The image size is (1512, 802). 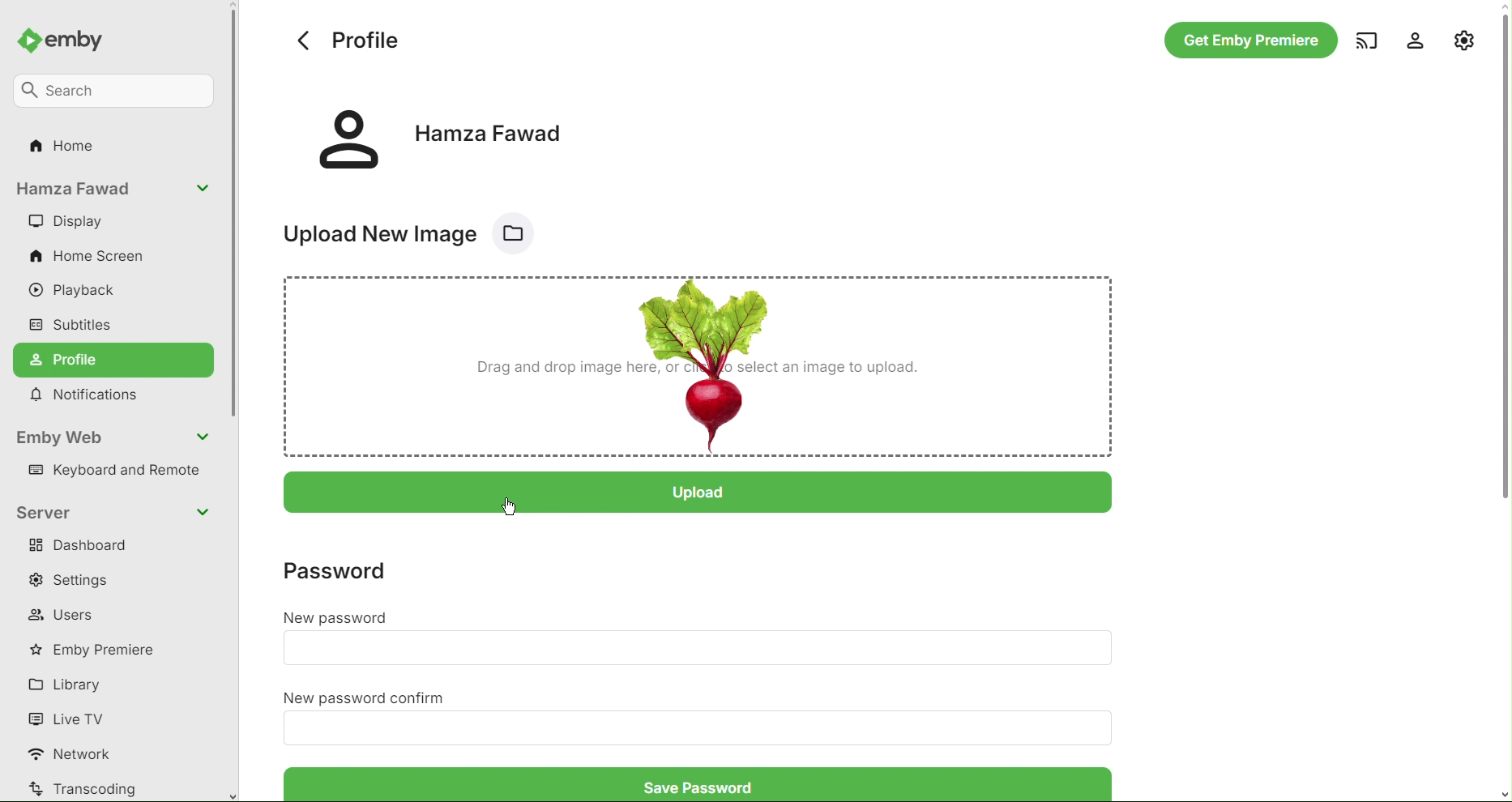 I want to click on Profile, so click(x=115, y=360).